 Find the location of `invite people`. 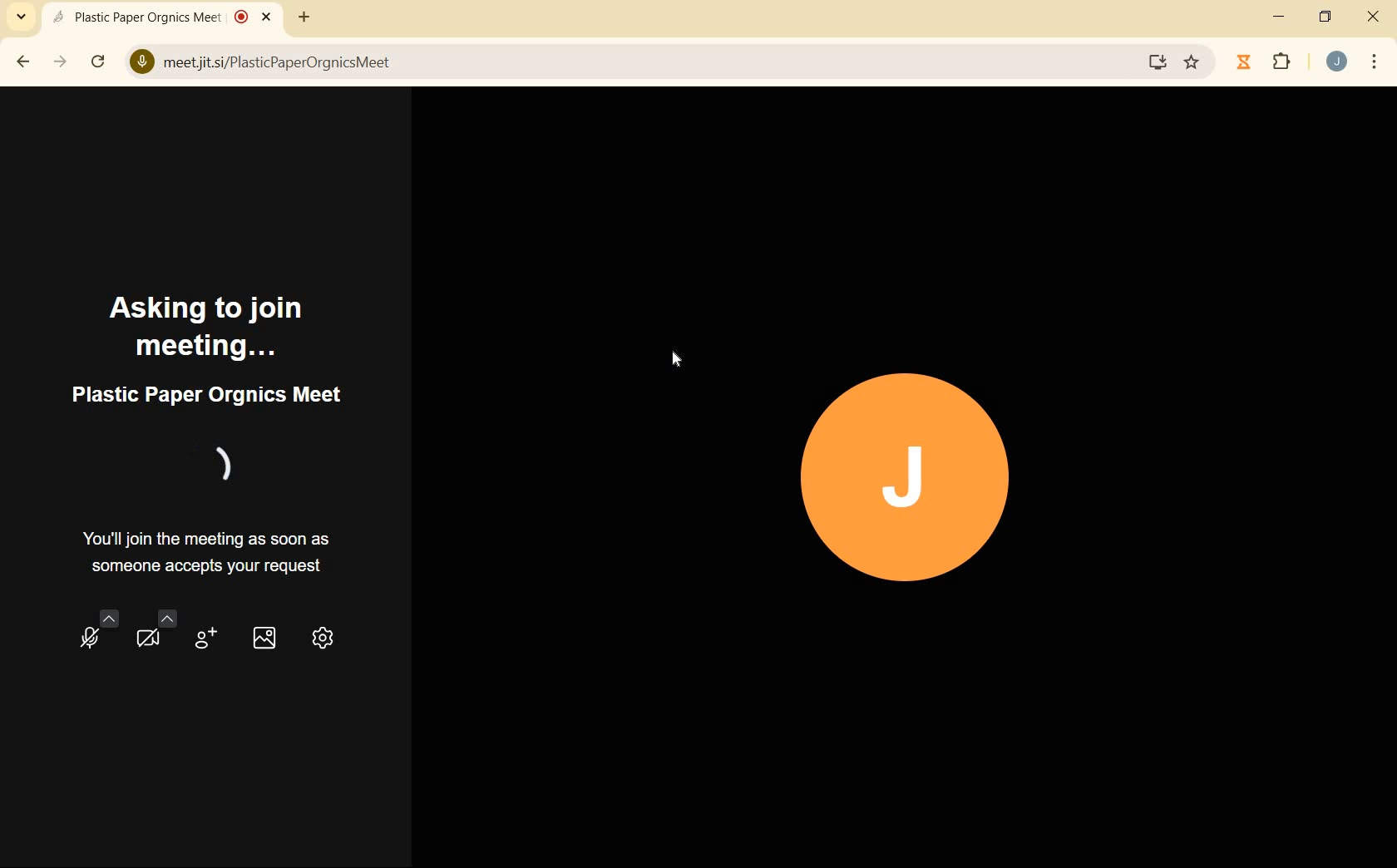

invite people is located at coordinates (203, 638).